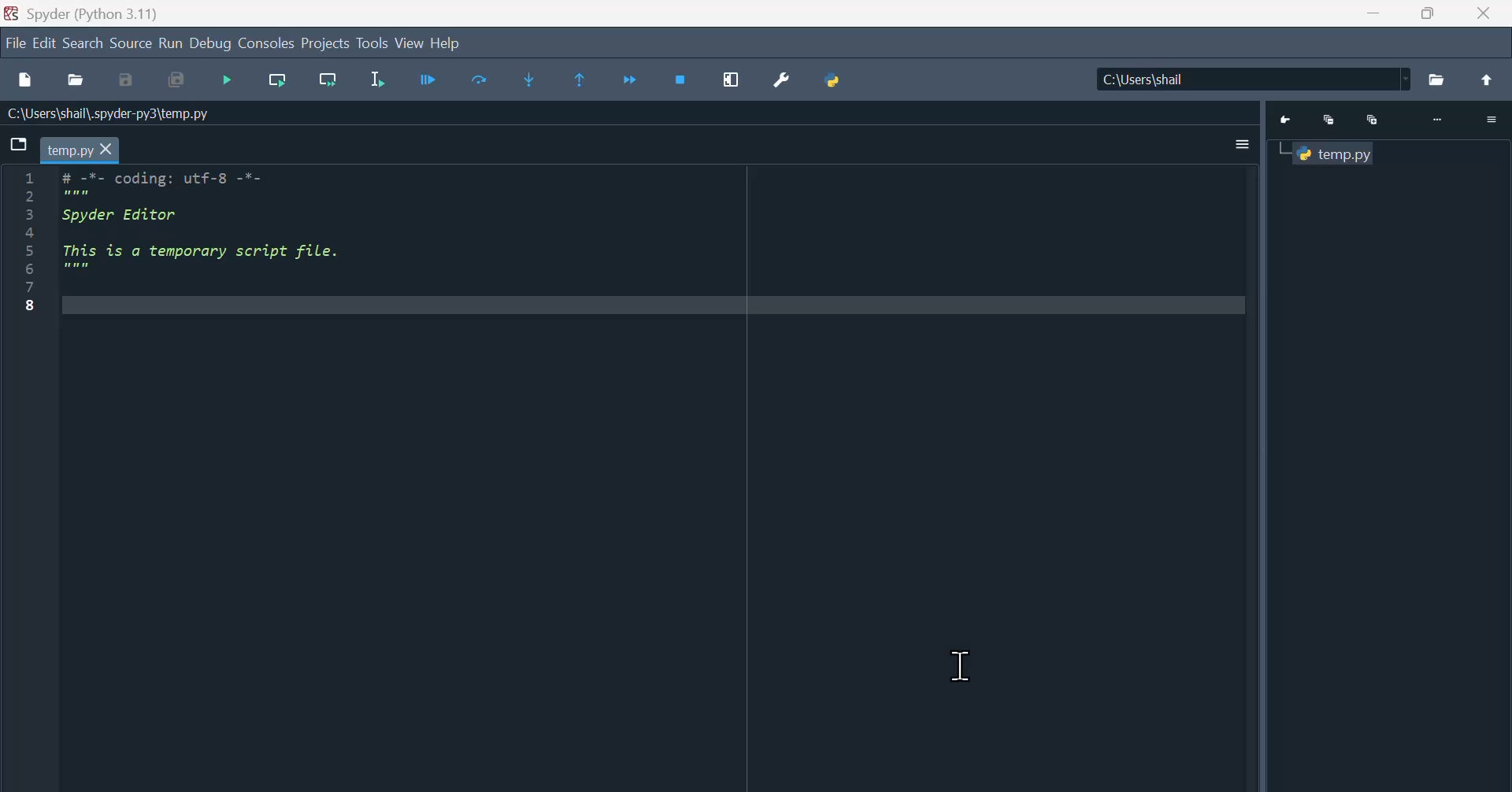 This screenshot has height=792, width=1512. What do you see at coordinates (1288, 121) in the screenshot?
I see `Go to` at bounding box center [1288, 121].